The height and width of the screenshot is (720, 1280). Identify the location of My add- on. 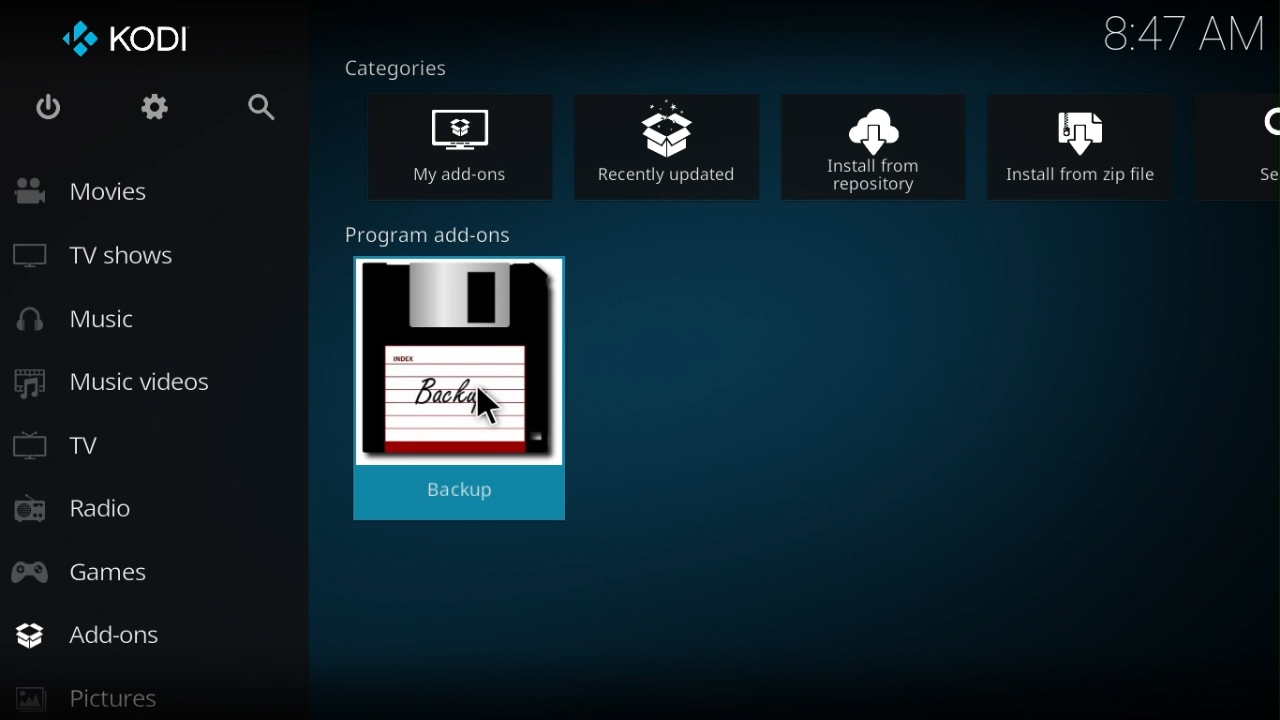
(477, 150).